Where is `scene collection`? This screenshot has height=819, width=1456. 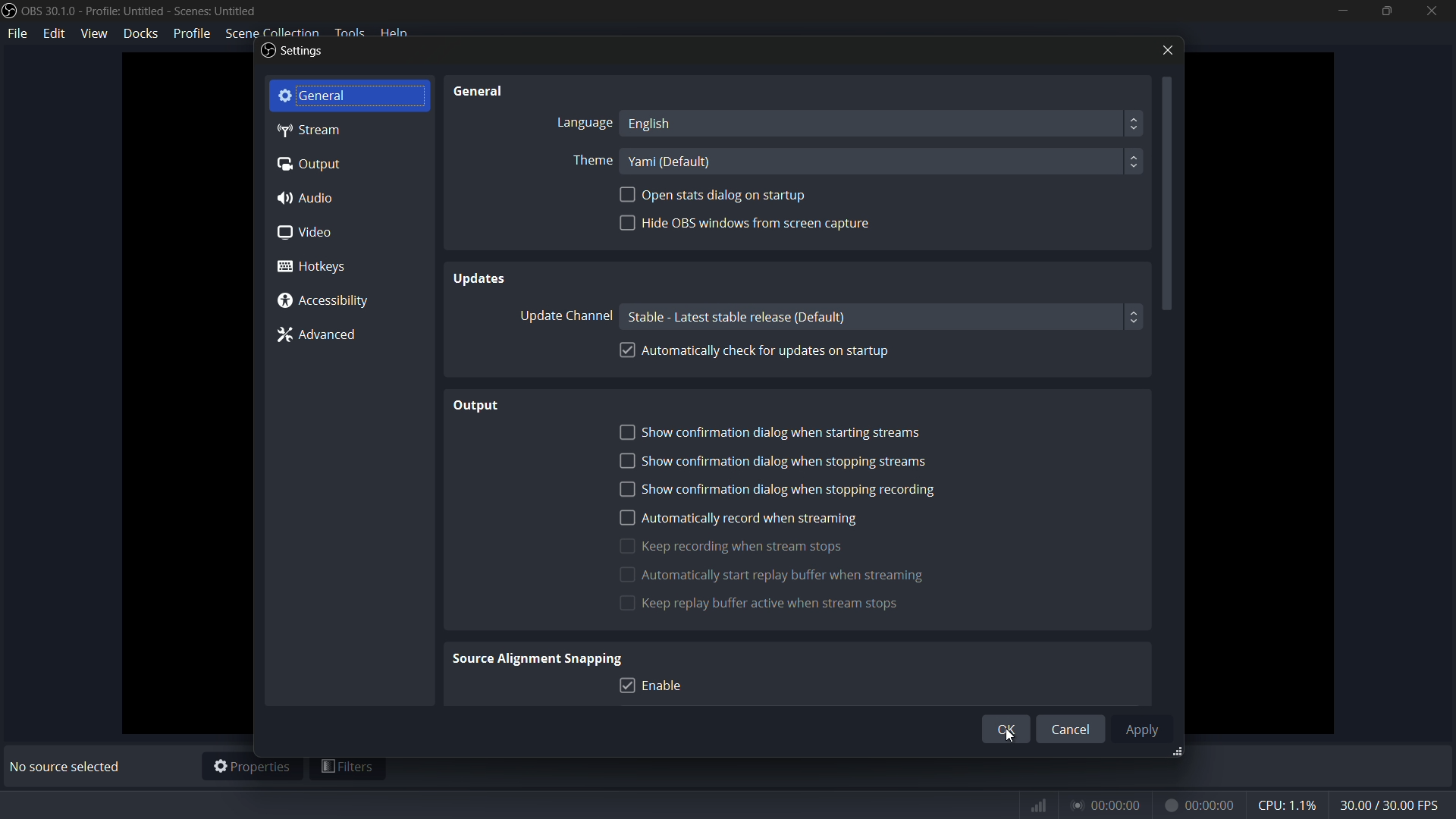 scene collection is located at coordinates (269, 31).